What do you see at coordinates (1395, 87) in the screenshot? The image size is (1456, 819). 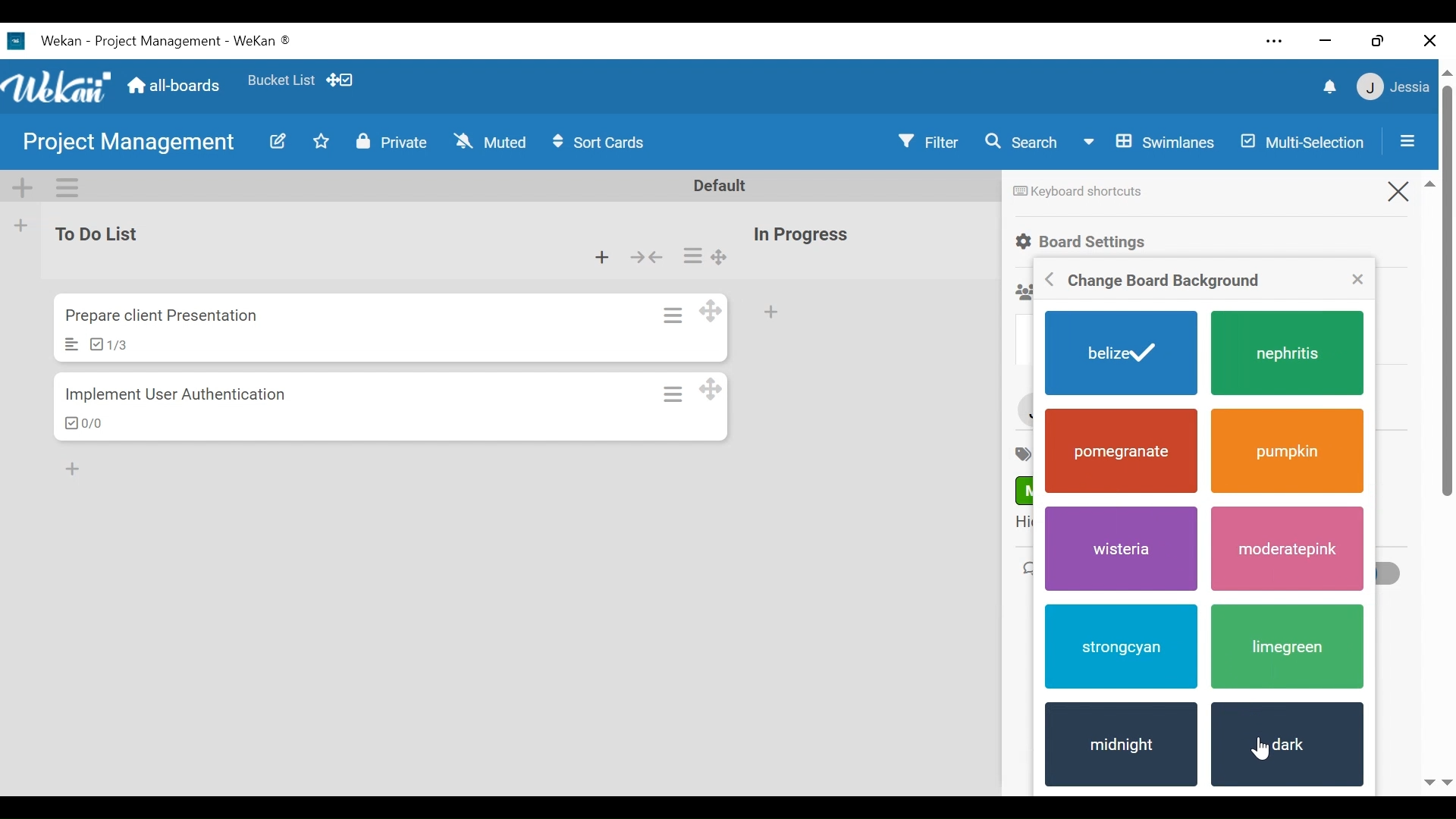 I see `member` at bounding box center [1395, 87].